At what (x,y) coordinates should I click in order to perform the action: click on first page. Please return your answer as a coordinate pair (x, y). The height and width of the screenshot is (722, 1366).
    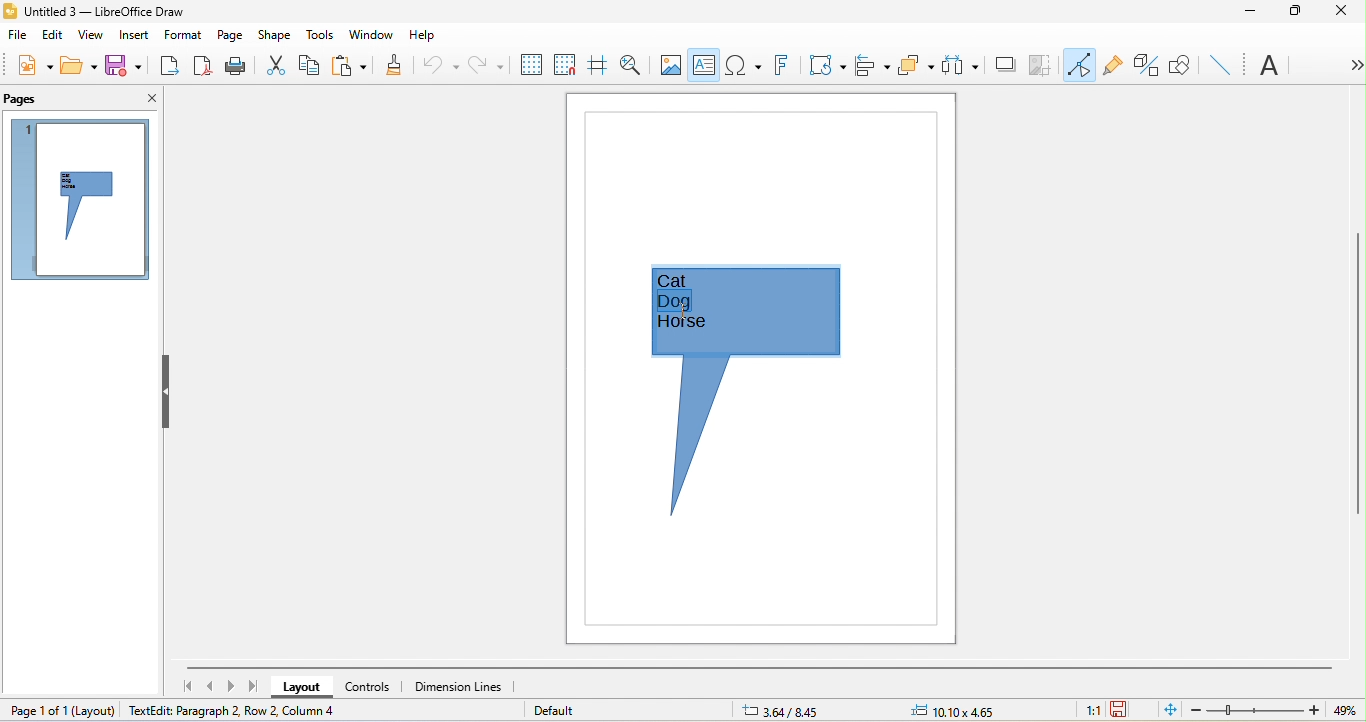
    Looking at the image, I should click on (190, 686).